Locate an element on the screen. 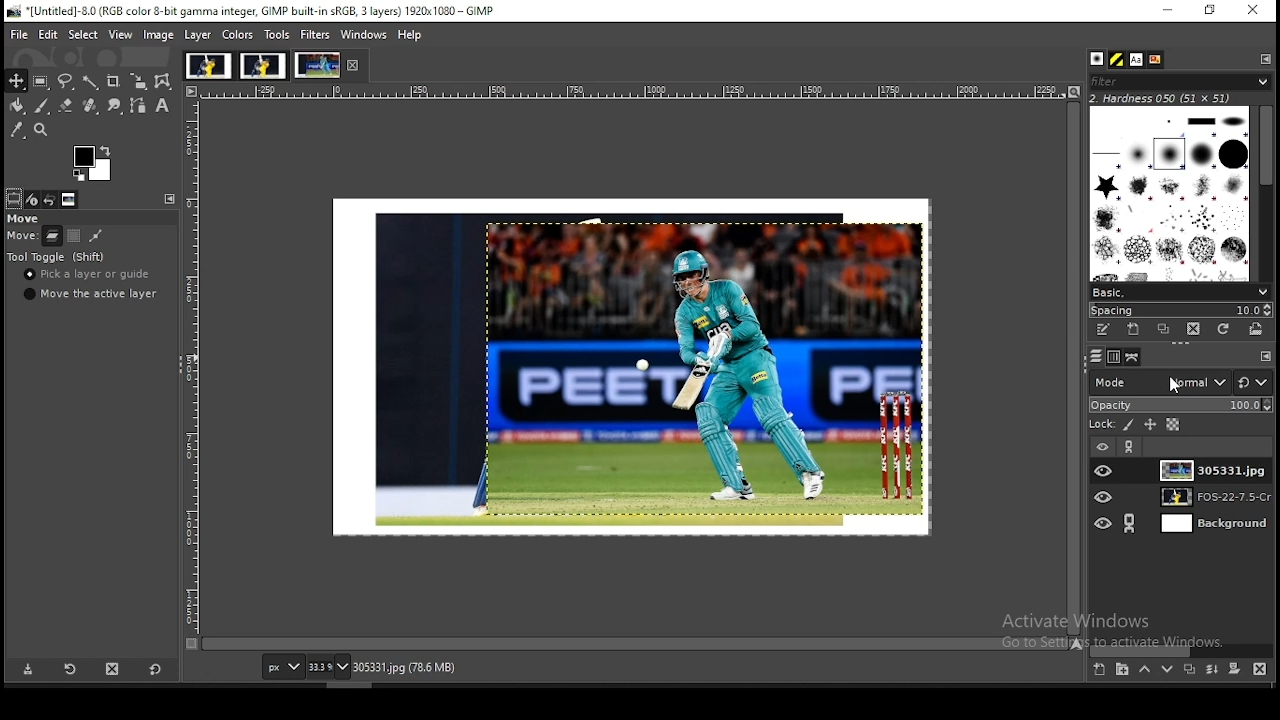 The width and height of the screenshot is (1280, 720). move layers is located at coordinates (53, 236).